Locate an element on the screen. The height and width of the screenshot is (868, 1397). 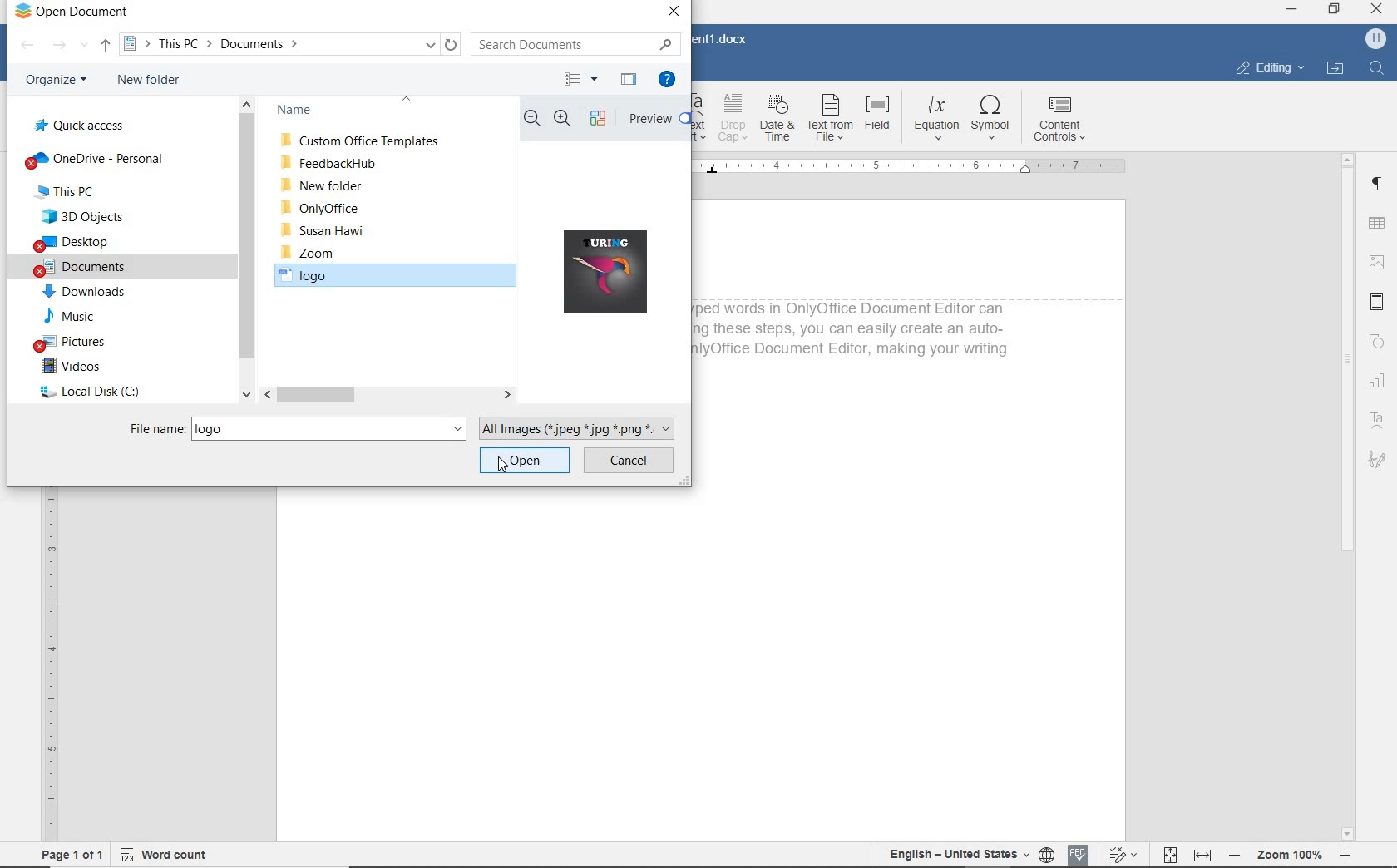
PICTURES is located at coordinates (89, 343).